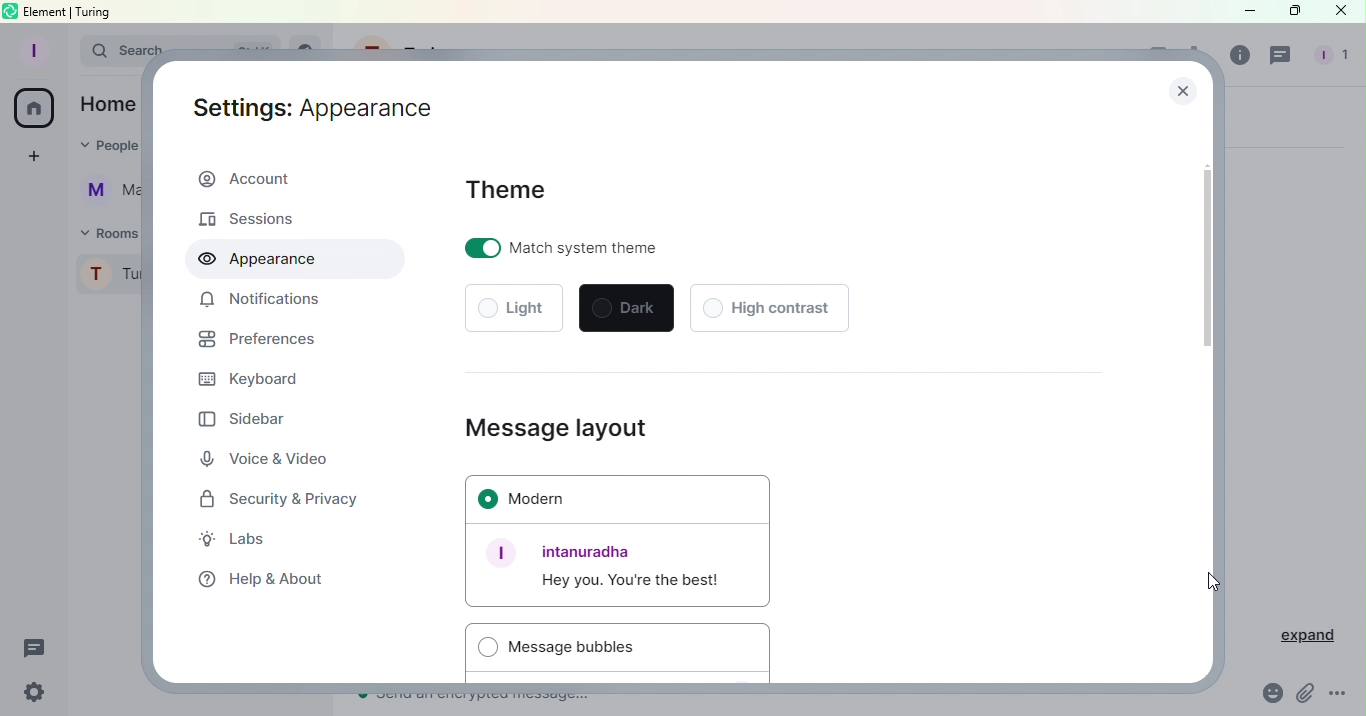 The width and height of the screenshot is (1366, 716). I want to click on Home, so click(108, 107).